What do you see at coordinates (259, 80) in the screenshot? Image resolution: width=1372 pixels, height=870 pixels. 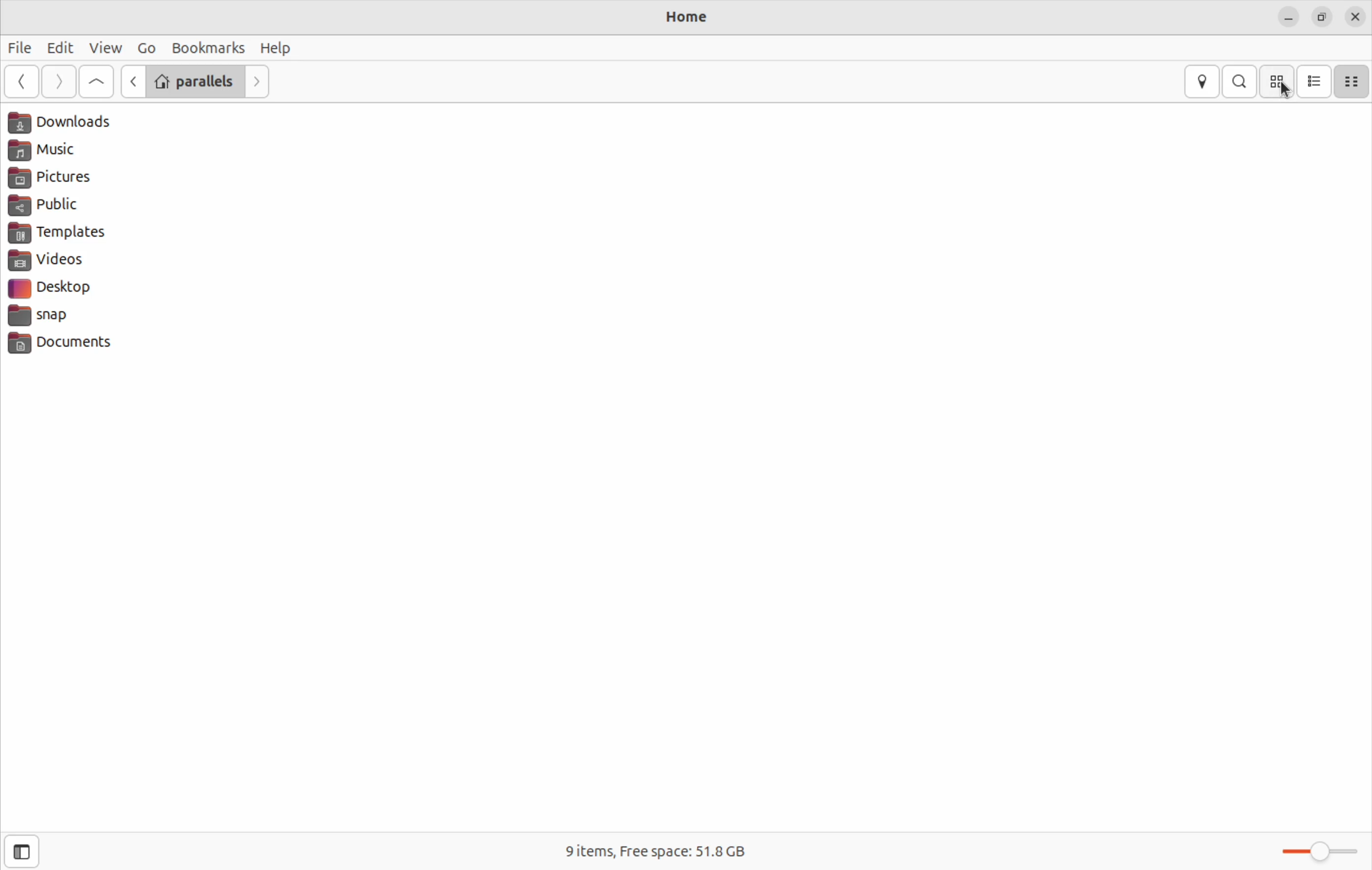 I see `Go next` at bounding box center [259, 80].